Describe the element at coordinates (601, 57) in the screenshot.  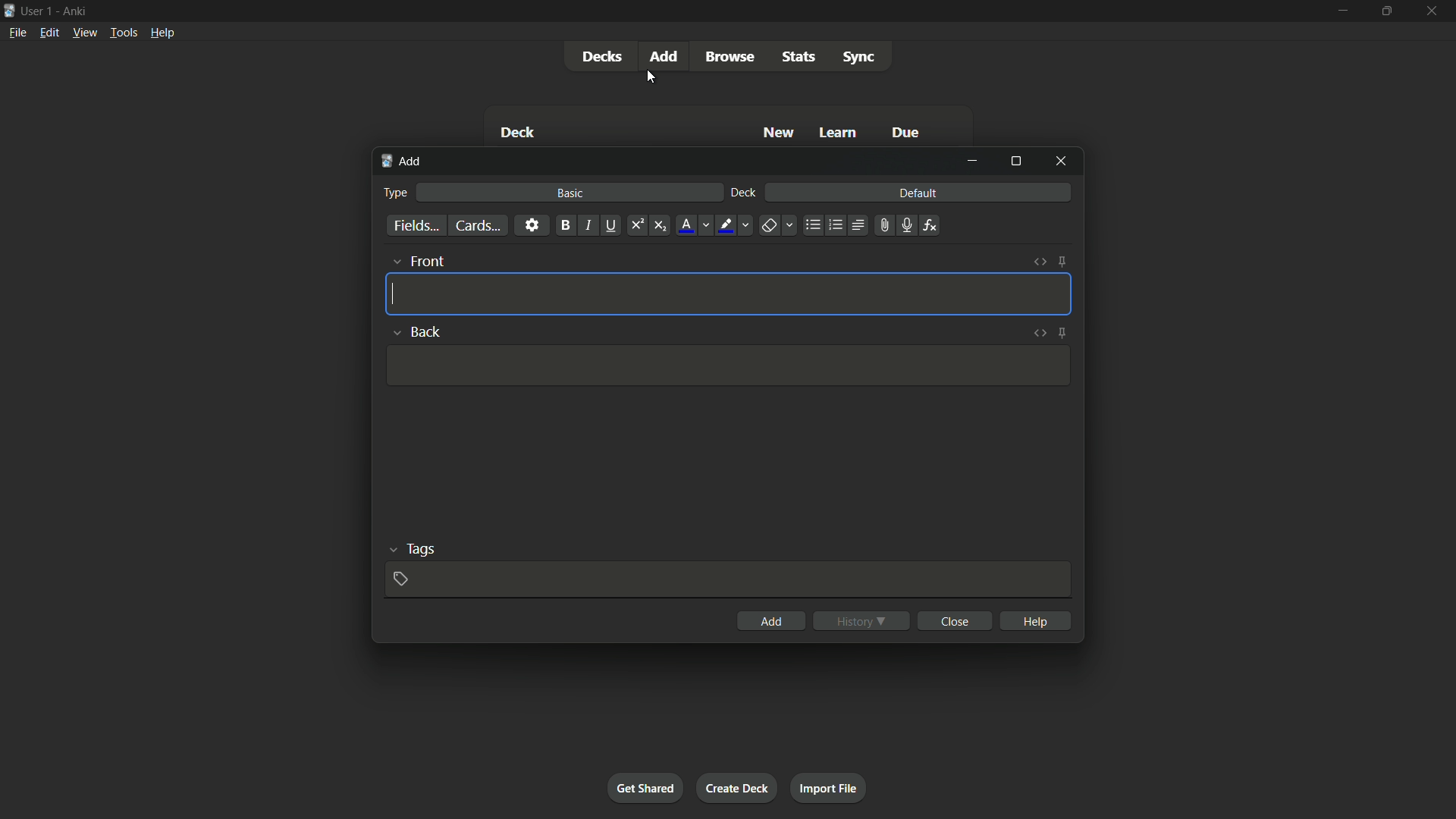
I see `decks` at that location.